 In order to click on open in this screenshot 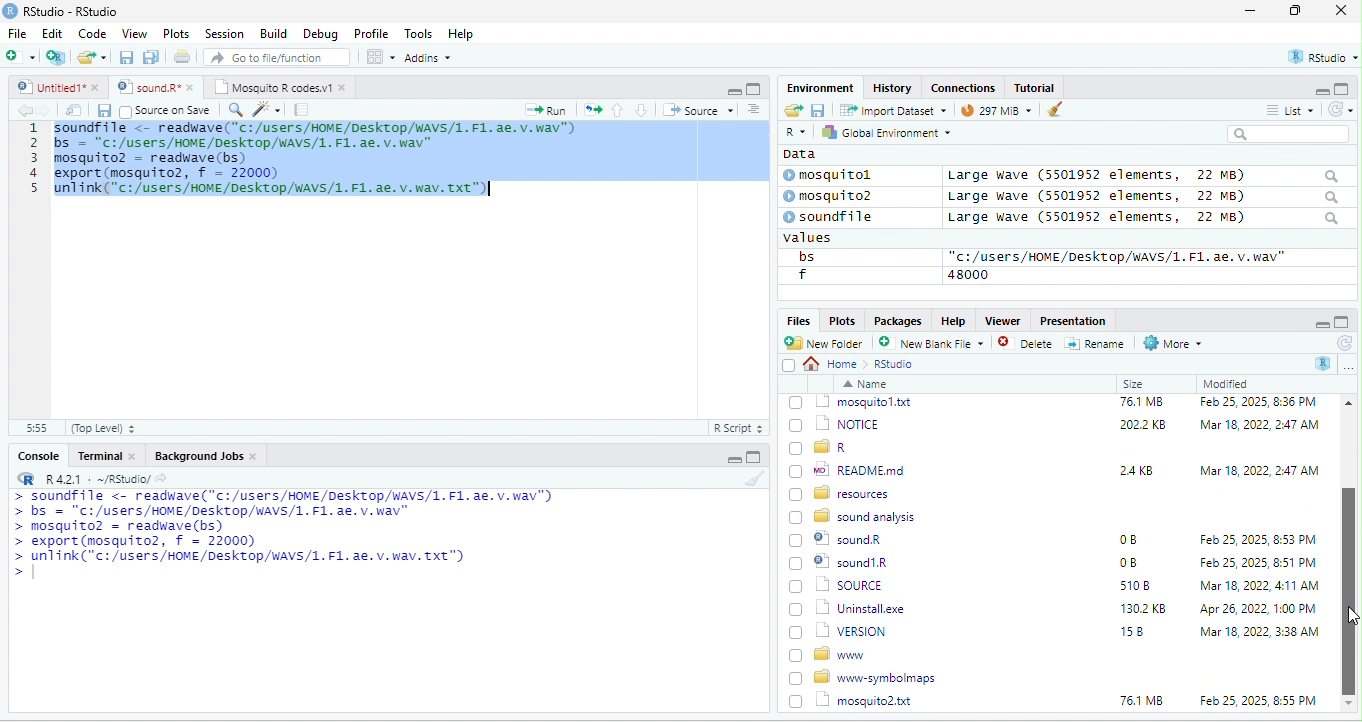, I will do `click(593, 108)`.